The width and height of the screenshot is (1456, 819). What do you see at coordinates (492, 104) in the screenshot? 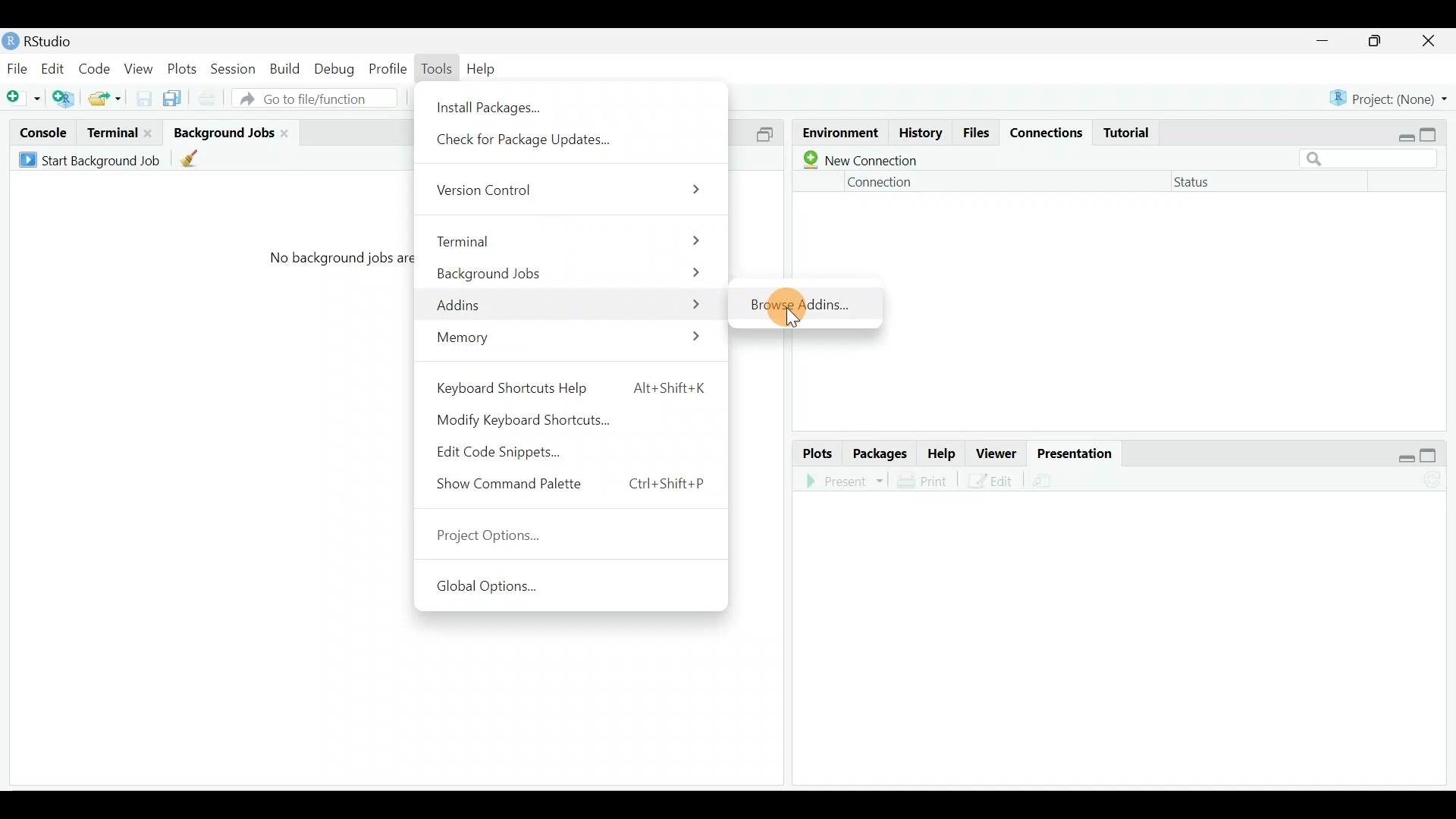
I see `Install Packages...` at bounding box center [492, 104].